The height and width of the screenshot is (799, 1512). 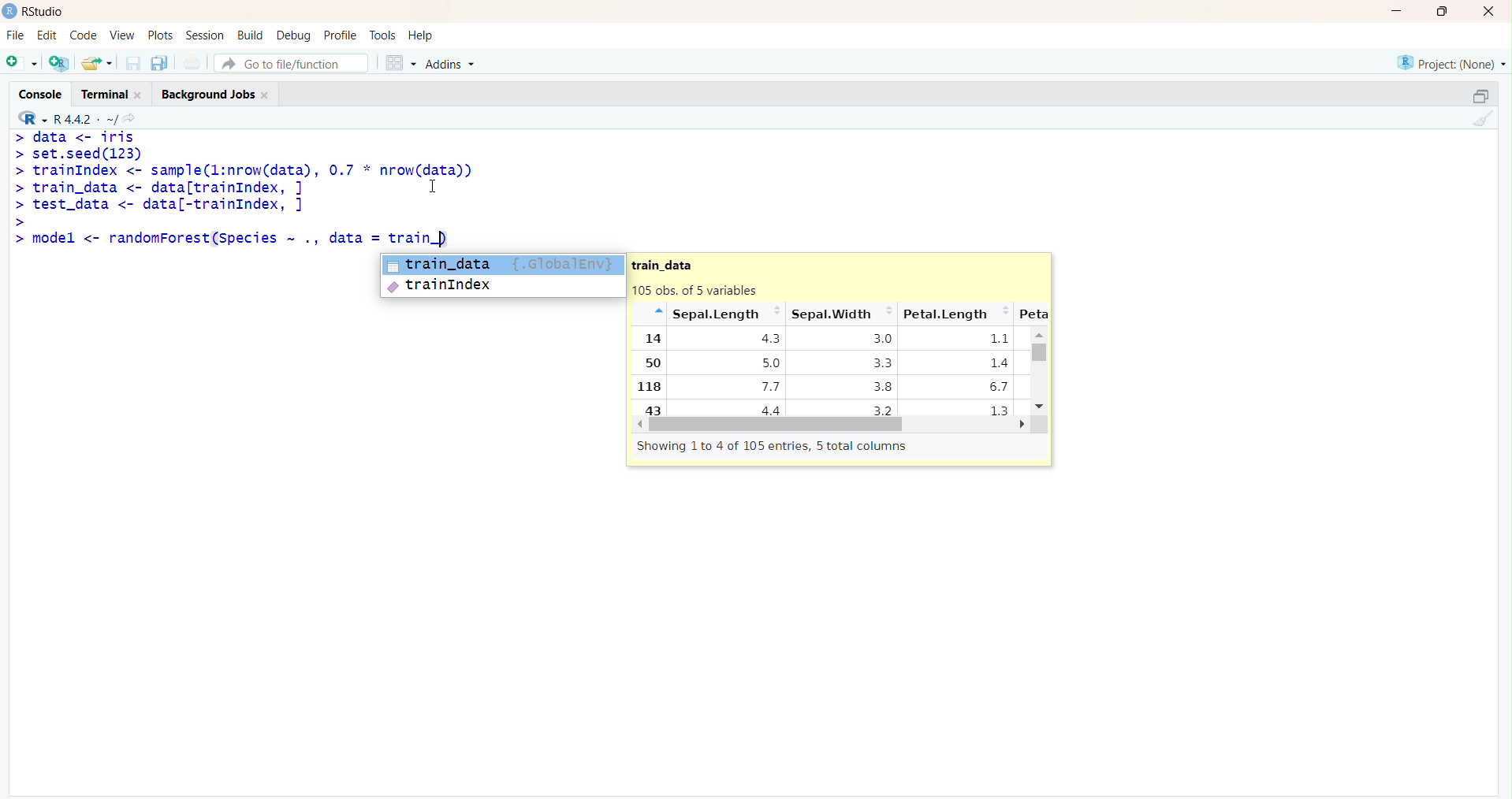 I want to click on Background Jobs, so click(x=215, y=93).